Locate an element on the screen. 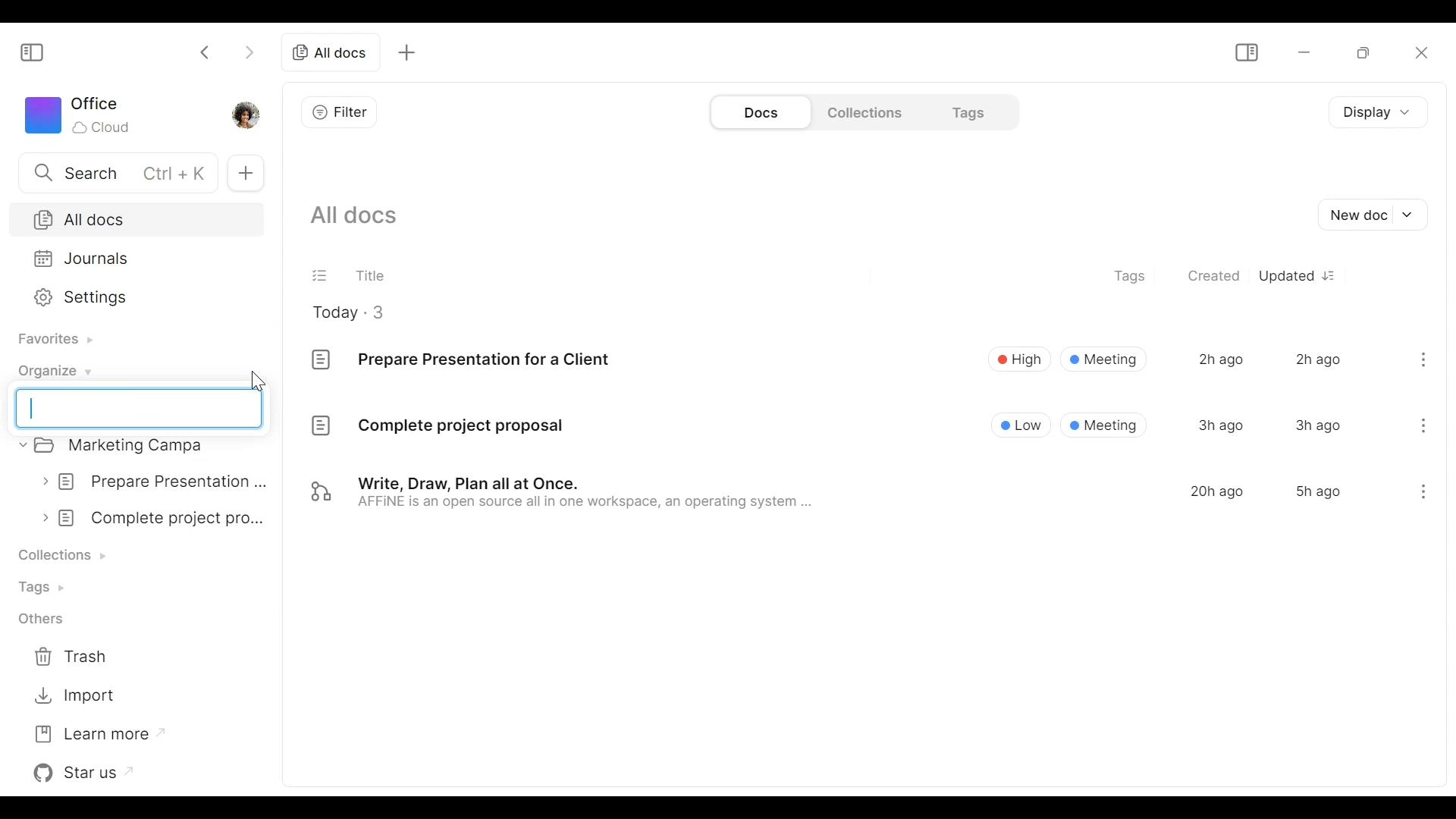  cursor pointer is located at coordinates (261, 380).